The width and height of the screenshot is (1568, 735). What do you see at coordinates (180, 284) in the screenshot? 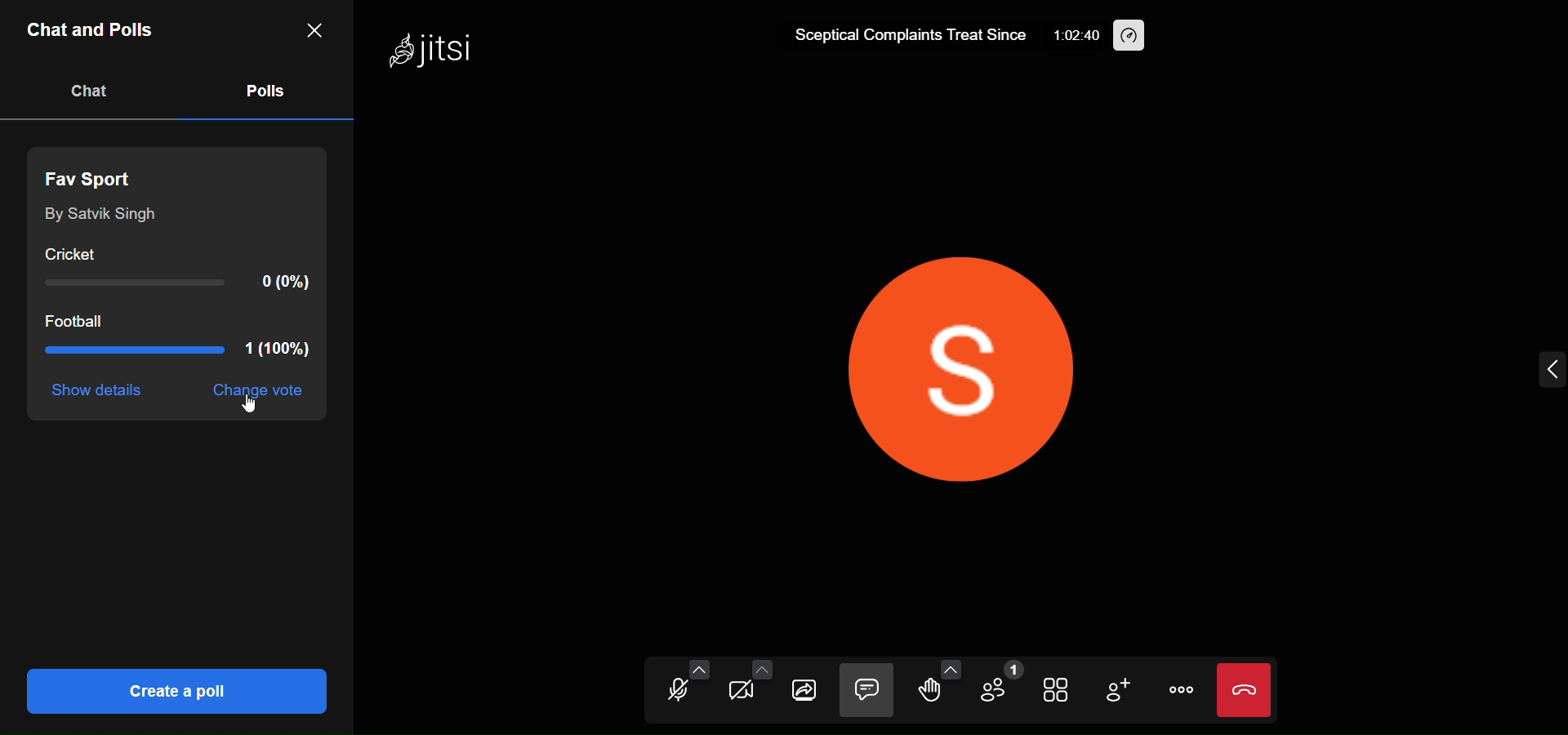
I see `option 1 result` at bounding box center [180, 284].